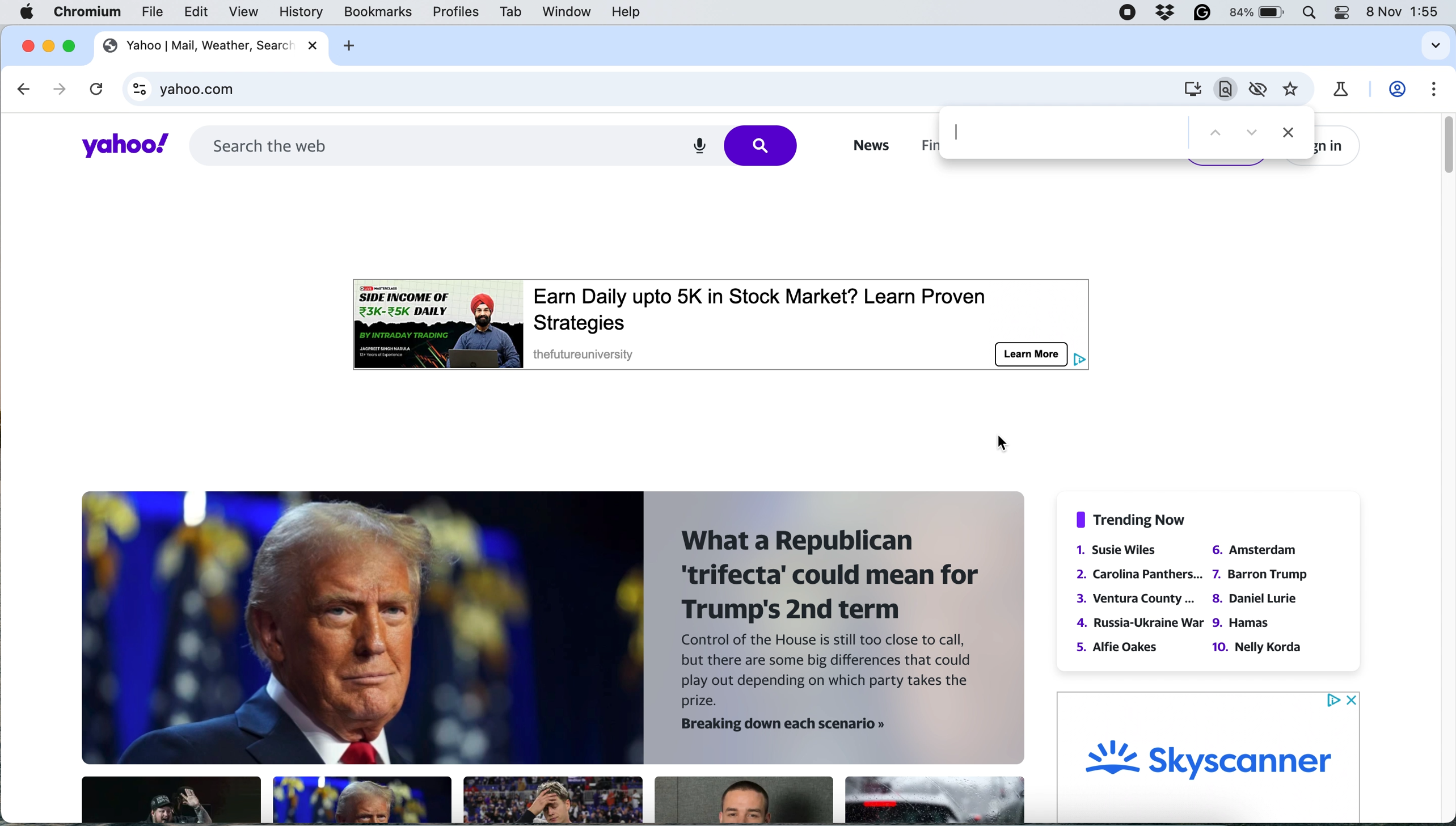  What do you see at coordinates (1202, 12) in the screenshot?
I see `grammarly` at bounding box center [1202, 12].